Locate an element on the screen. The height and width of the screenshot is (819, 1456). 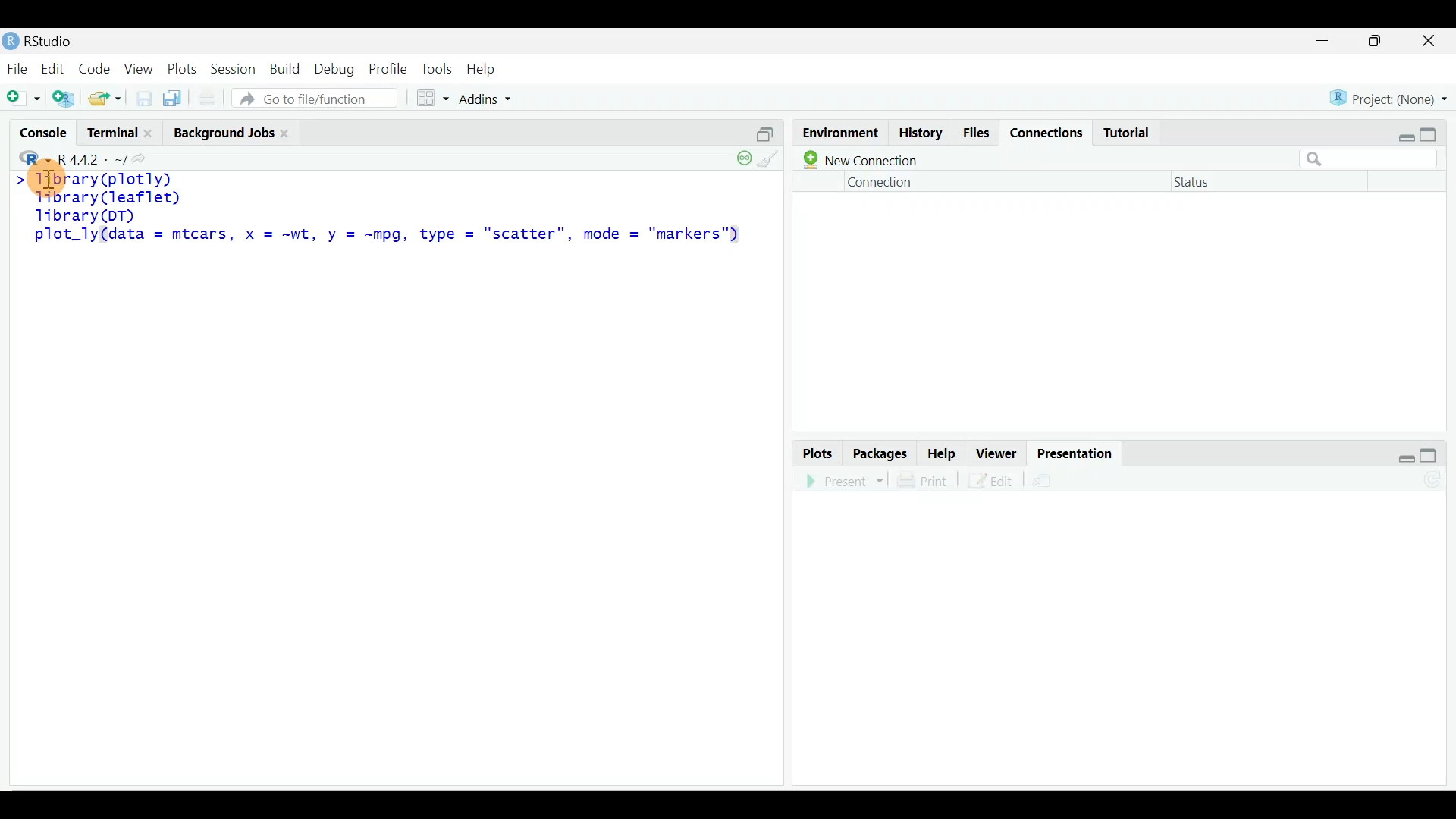
Create a project is located at coordinates (67, 98).